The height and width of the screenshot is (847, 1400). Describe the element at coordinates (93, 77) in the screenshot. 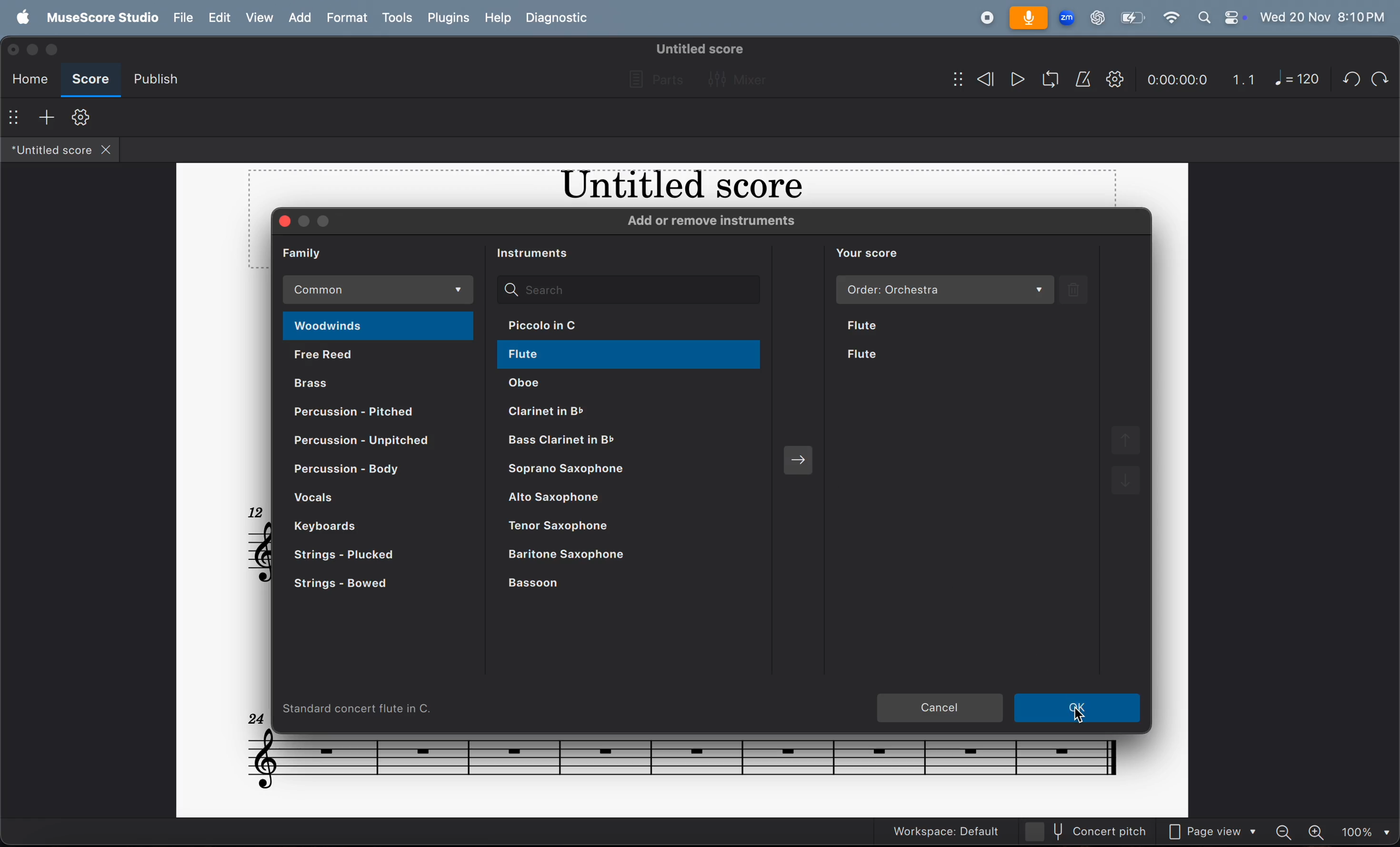

I see `score` at that location.